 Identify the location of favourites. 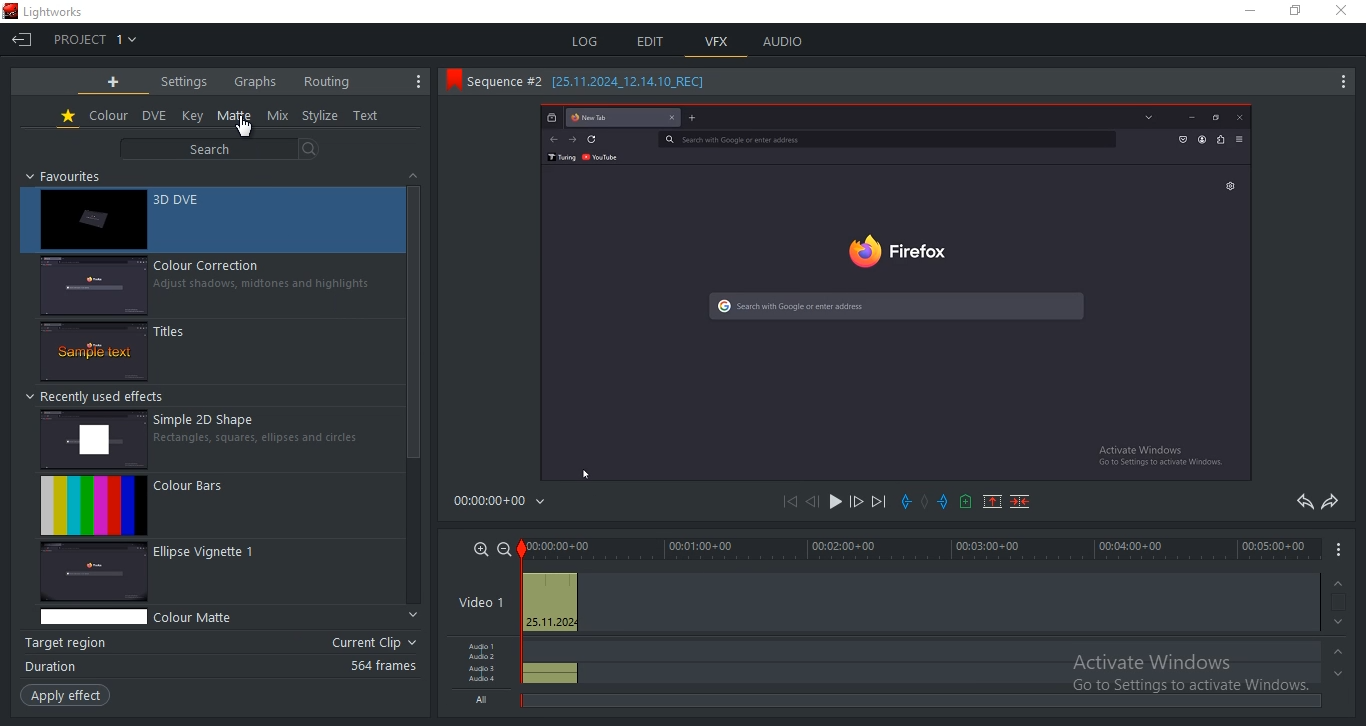
(68, 176).